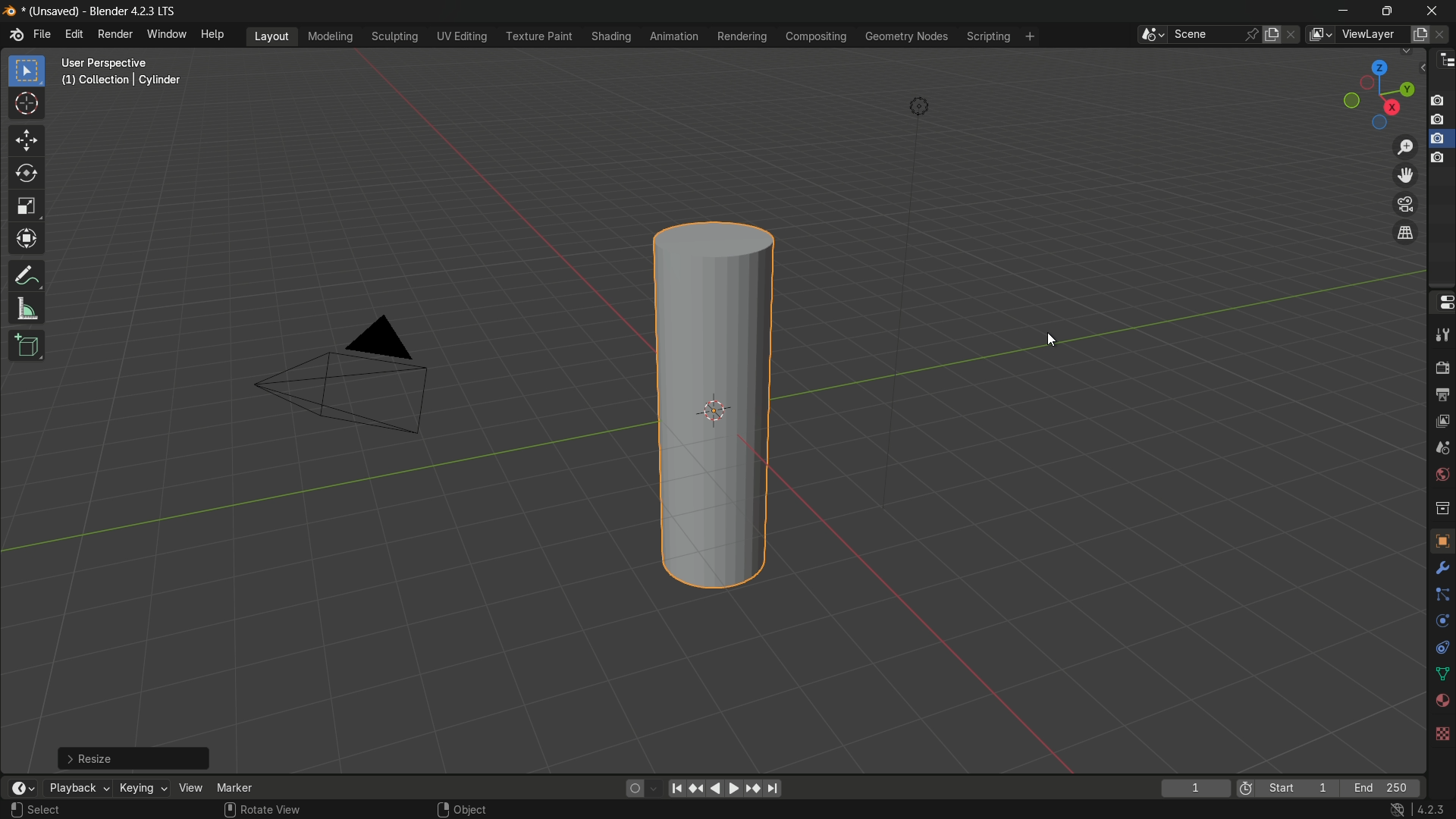 This screenshot has width=1456, height=819. I want to click on constraints, so click(1441, 650).